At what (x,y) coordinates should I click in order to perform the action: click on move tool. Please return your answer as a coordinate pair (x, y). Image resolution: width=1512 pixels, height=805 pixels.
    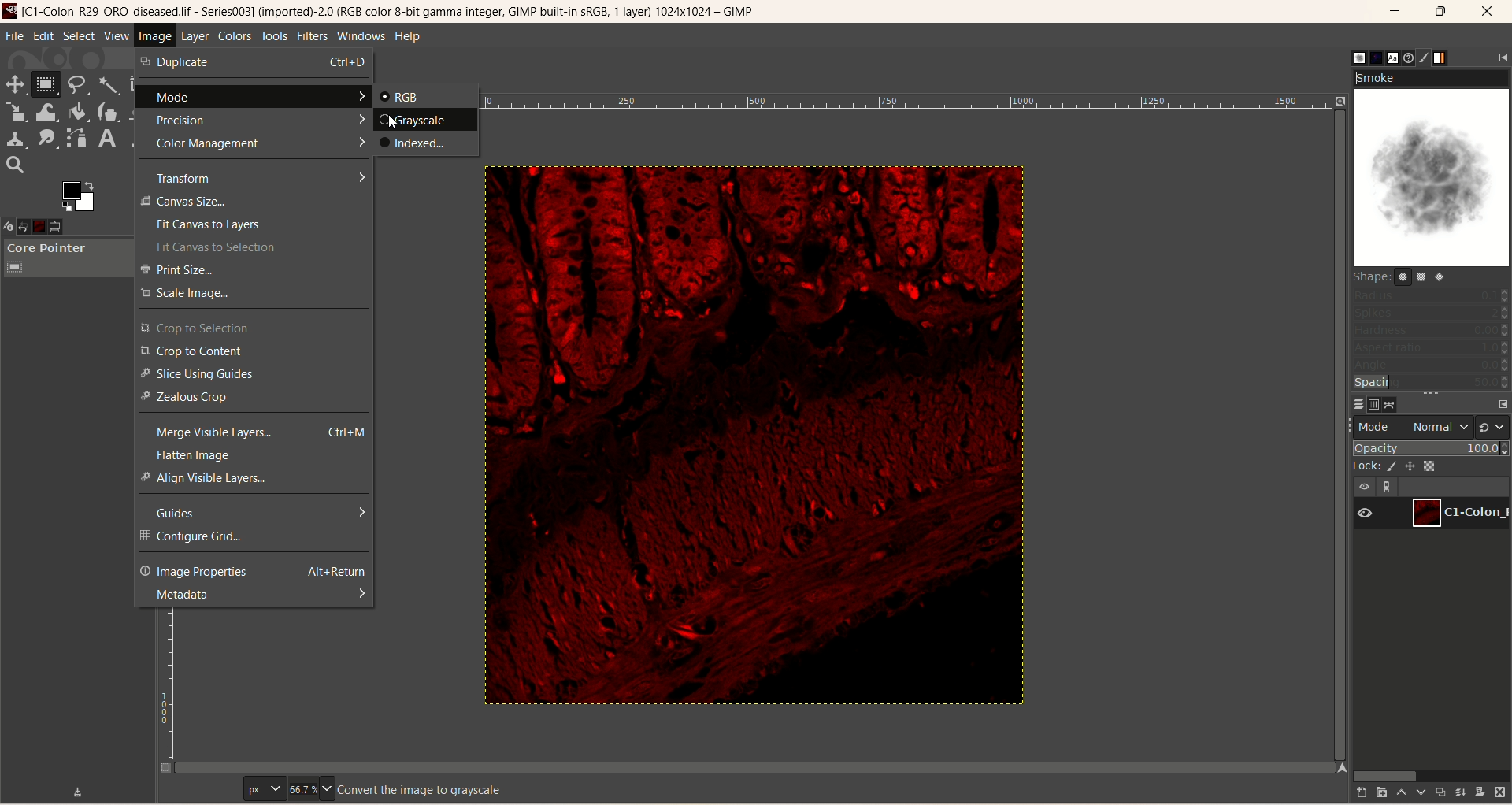
    Looking at the image, I should click on (17, 85).